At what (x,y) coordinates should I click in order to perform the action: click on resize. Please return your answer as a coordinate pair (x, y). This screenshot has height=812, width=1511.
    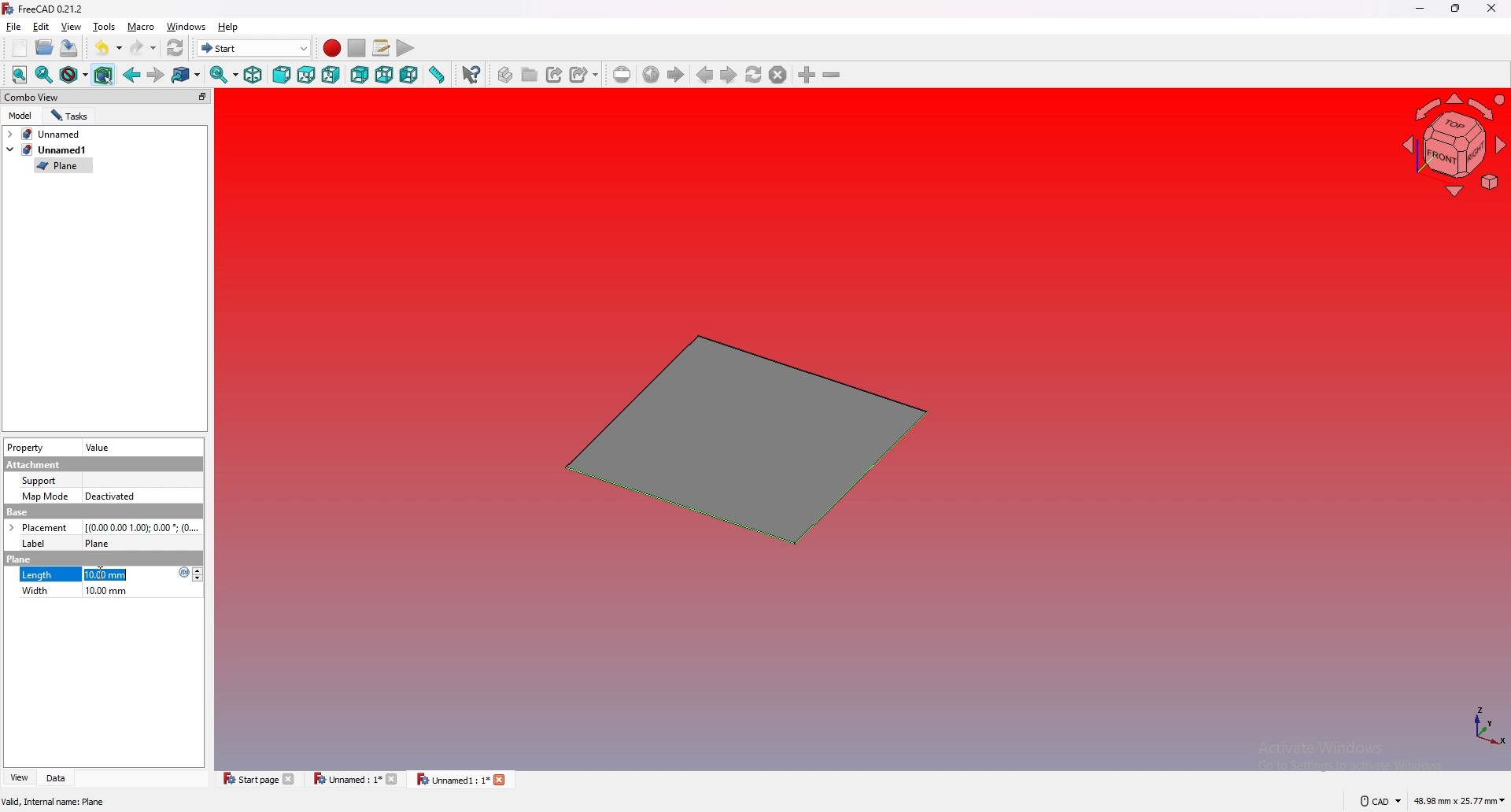
    Looking at the image, I should click on (1457, 9).